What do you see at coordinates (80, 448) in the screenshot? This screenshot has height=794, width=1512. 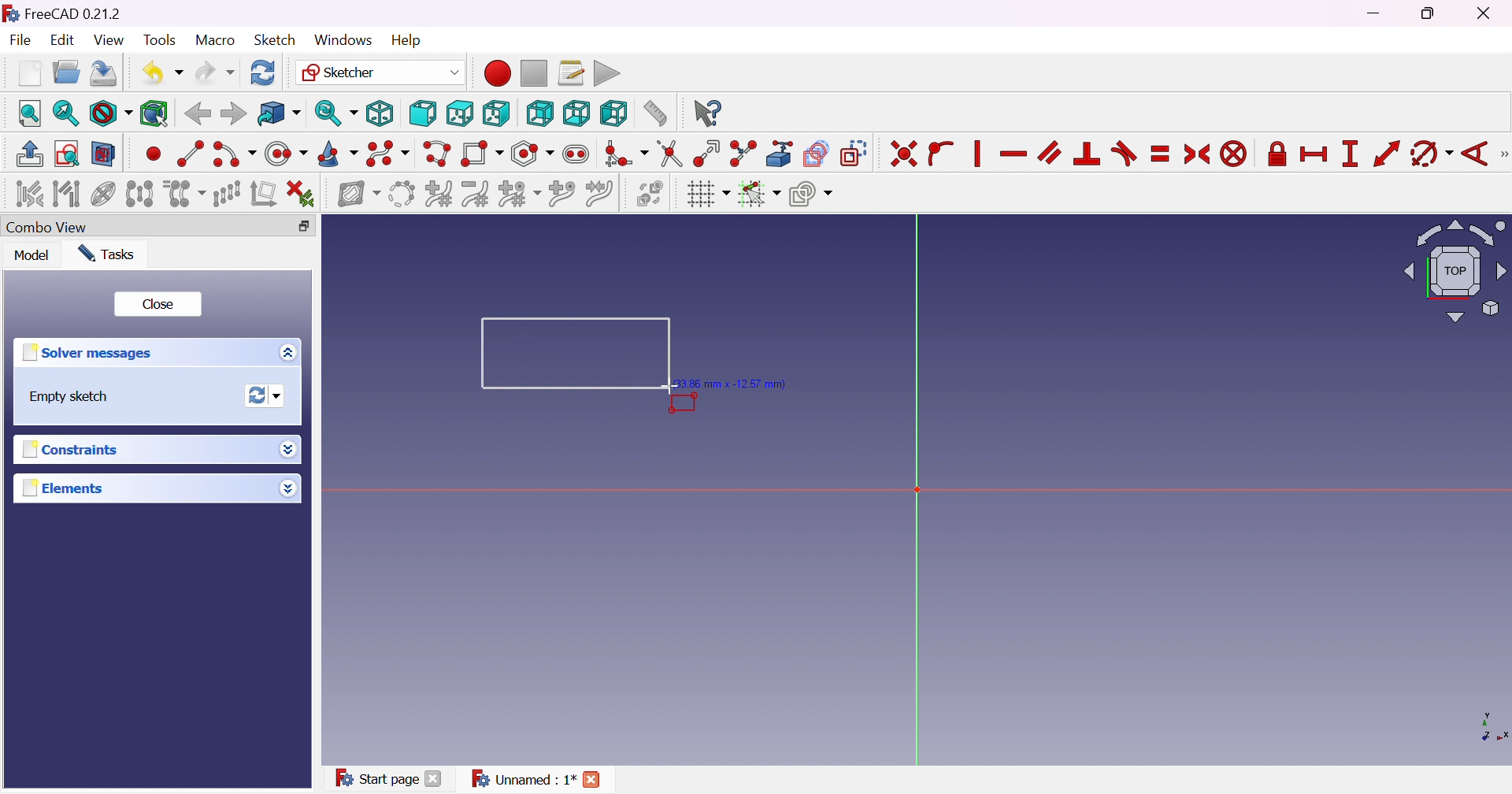 I see `Constraints` at bounding box center [80, 448].